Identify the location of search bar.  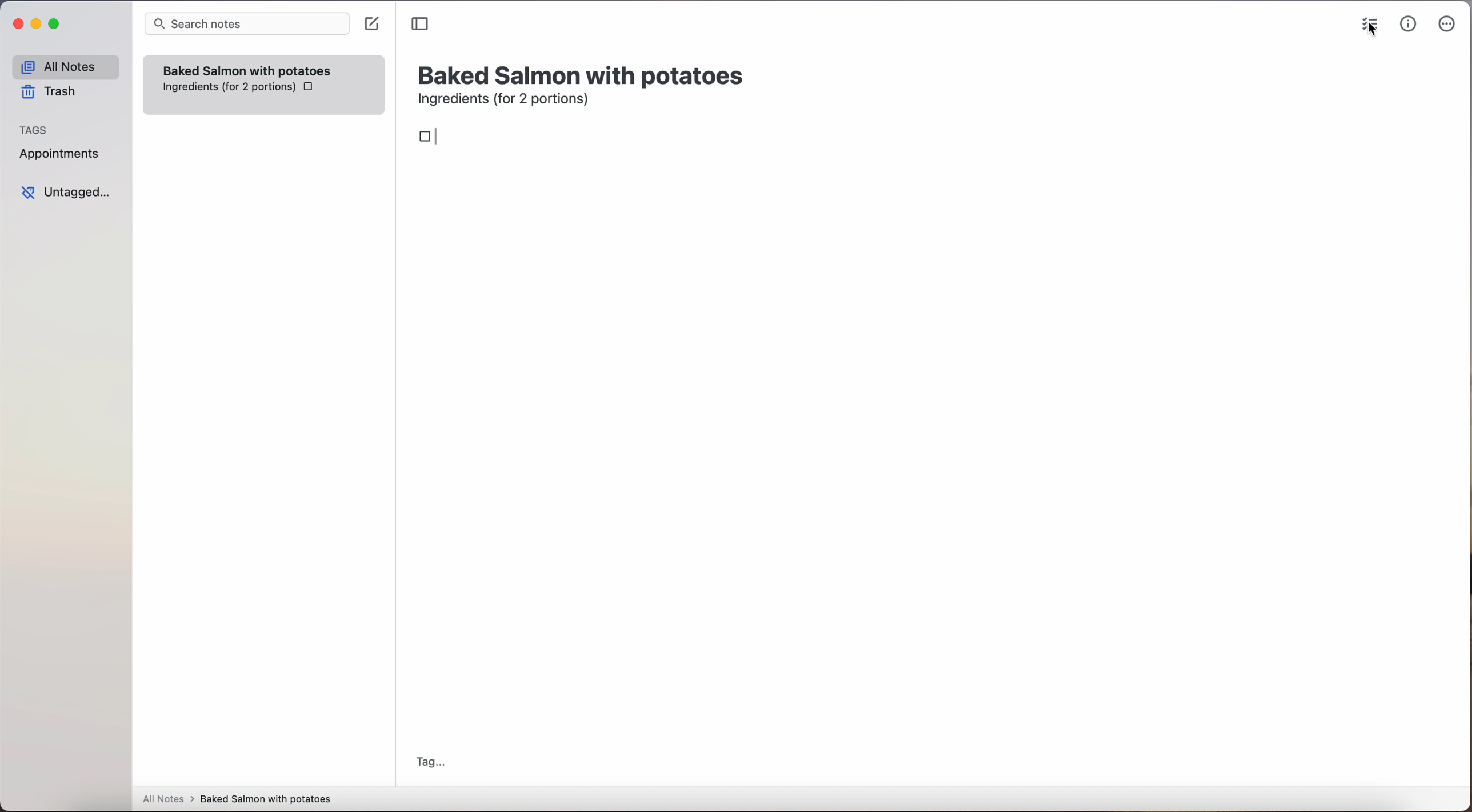
(246, 25).